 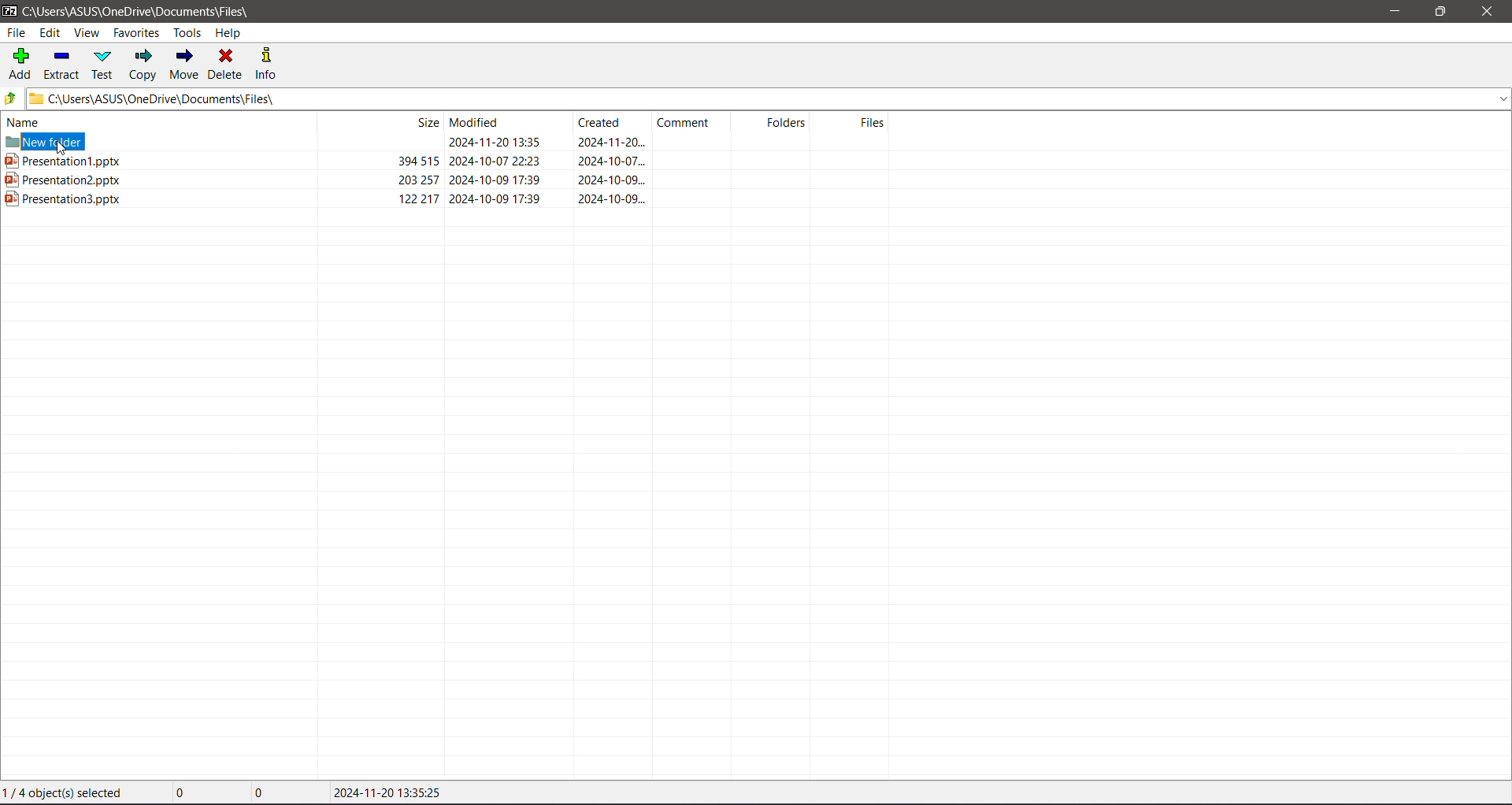 What do you see at coordinates (777, 122) in the screenshot?
I see `Folders` at bounding box center [777, 122].